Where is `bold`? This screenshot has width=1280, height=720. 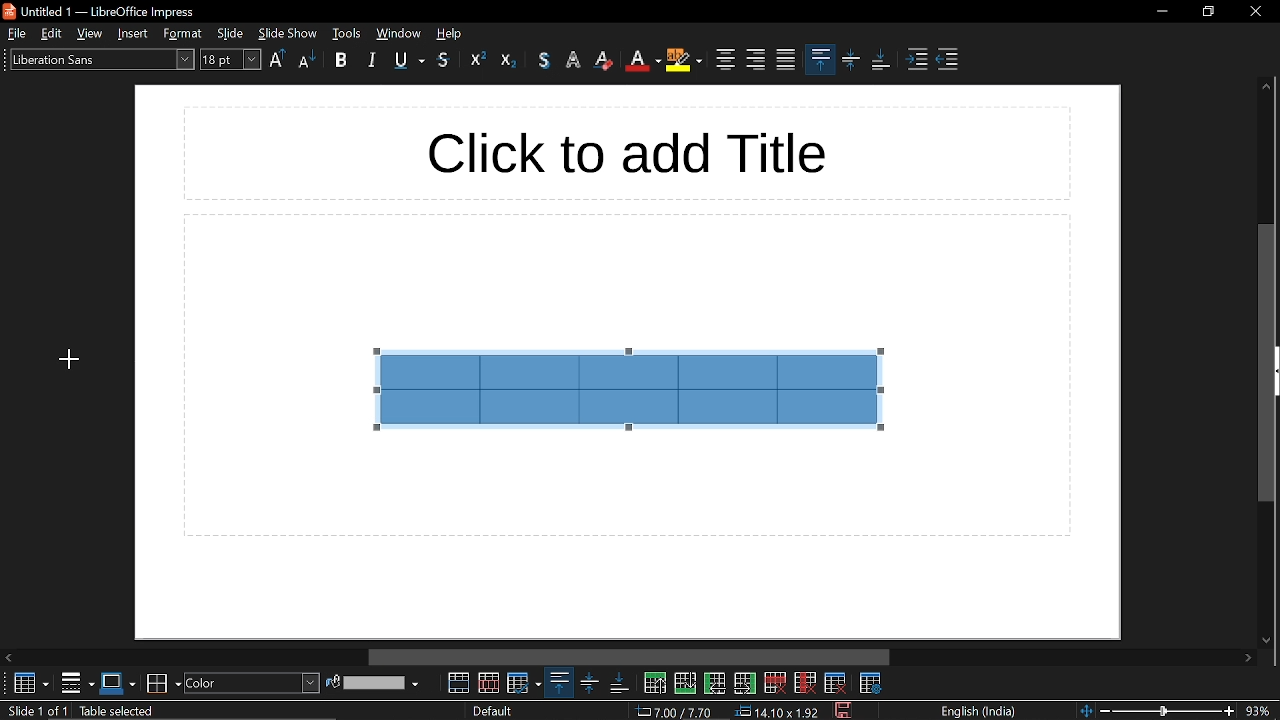 bold is located at coordinates (341, 59).